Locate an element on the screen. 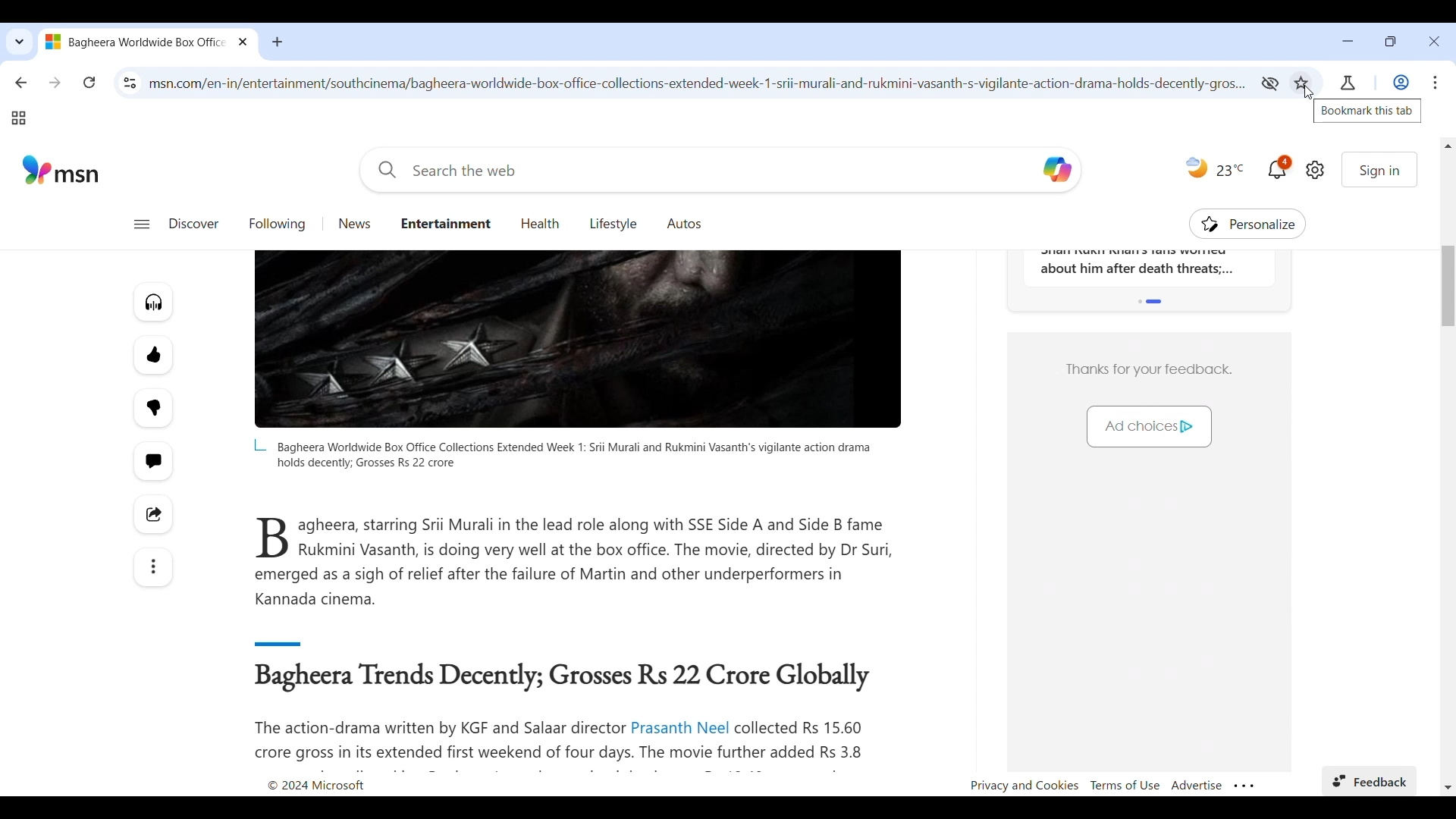 The width and height of the screenshot is (1456, 819). The action-drama written by KGF and Salaar director Prasanth Neel collected Rs 15.60
crore gross in its extended first weekend of four days. The movie further added Rs 3.8 is located at coordinates (568, 741).